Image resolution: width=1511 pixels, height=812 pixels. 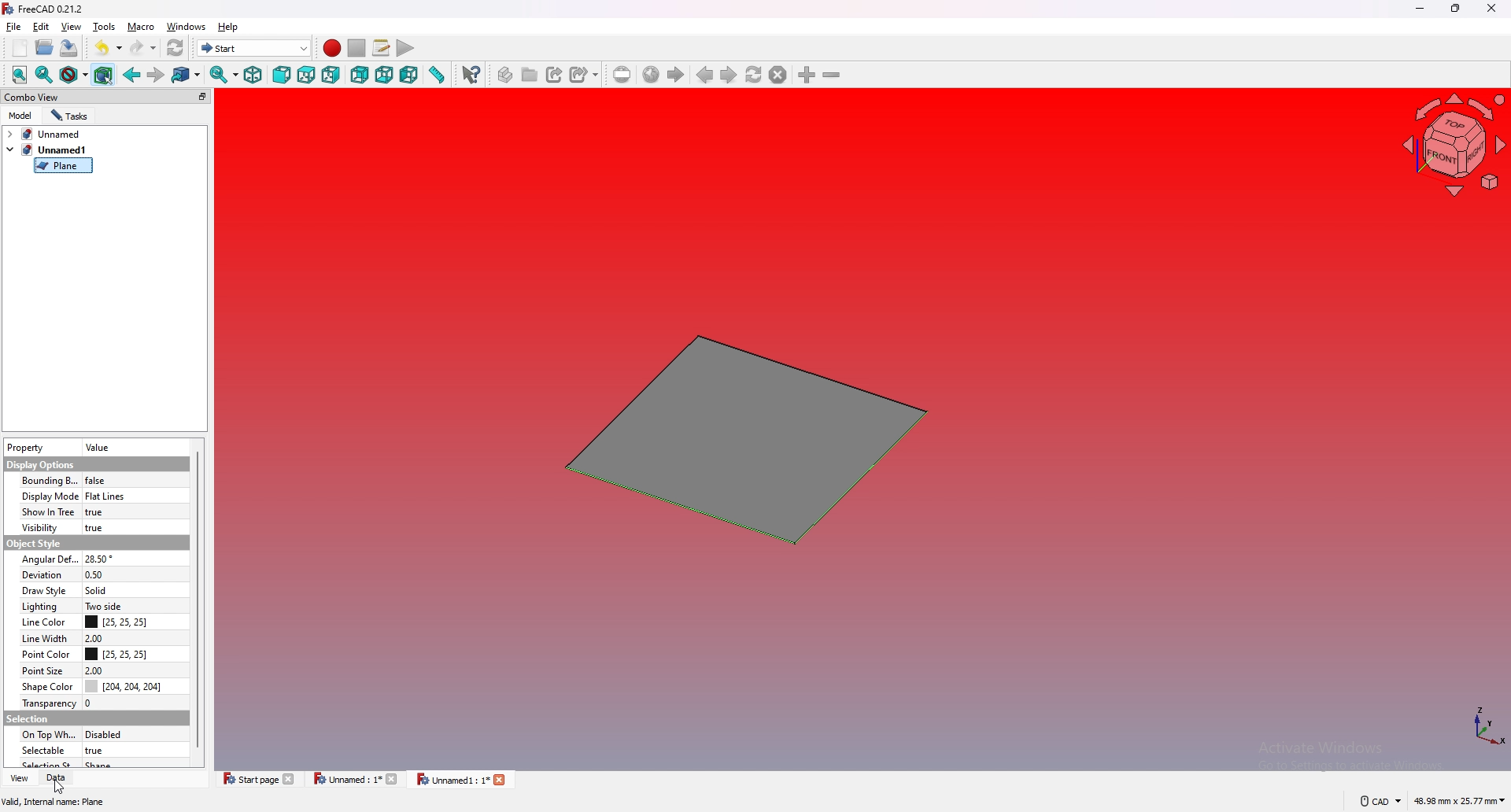 What do you see at coordinates (49, 134) in the screenshot?
I see `tab1: Unnamed` at bounding box center [49, 134].